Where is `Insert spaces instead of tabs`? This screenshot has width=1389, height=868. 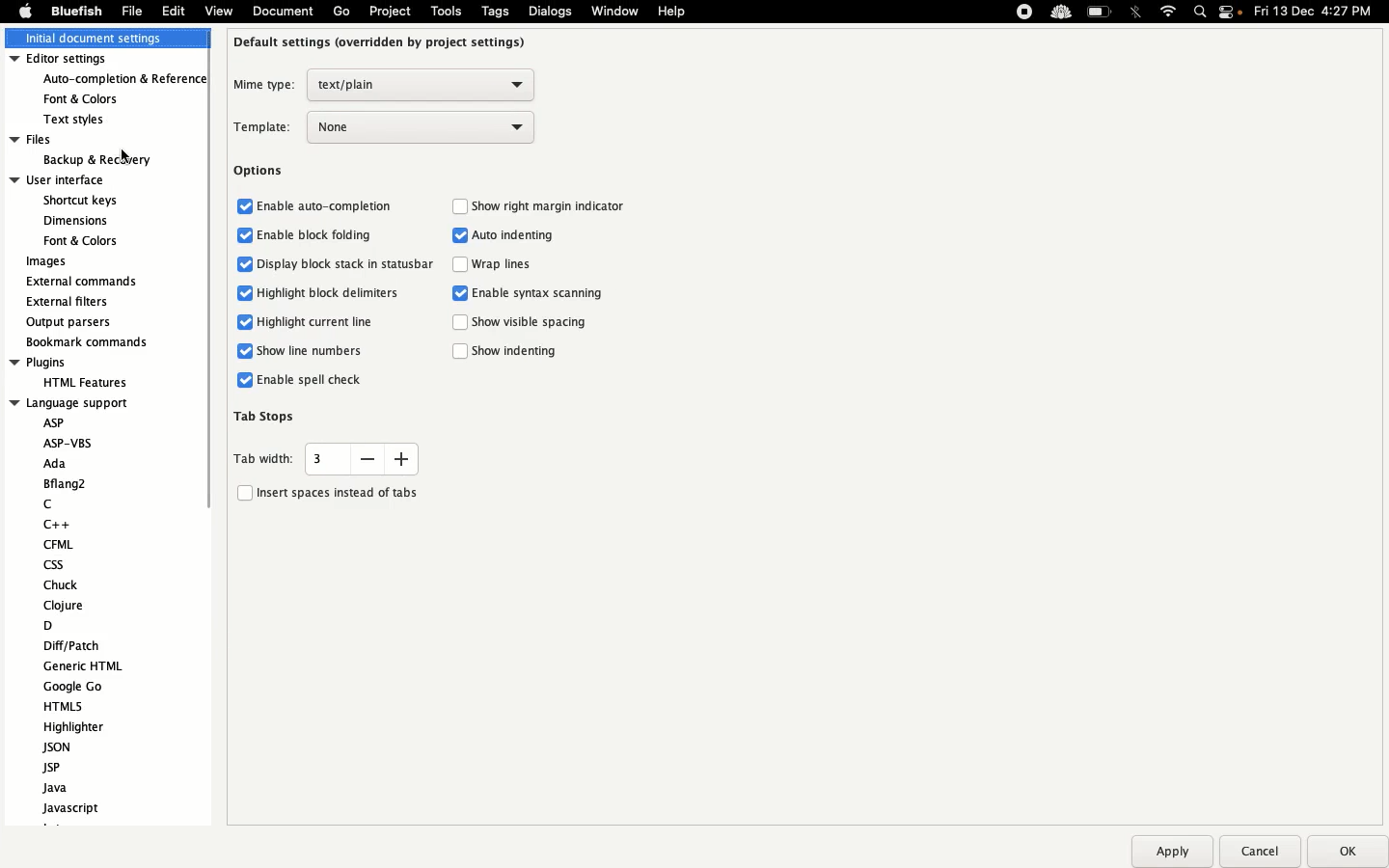 Insert spaces instead of tabs is located at coordinates (334, 491).